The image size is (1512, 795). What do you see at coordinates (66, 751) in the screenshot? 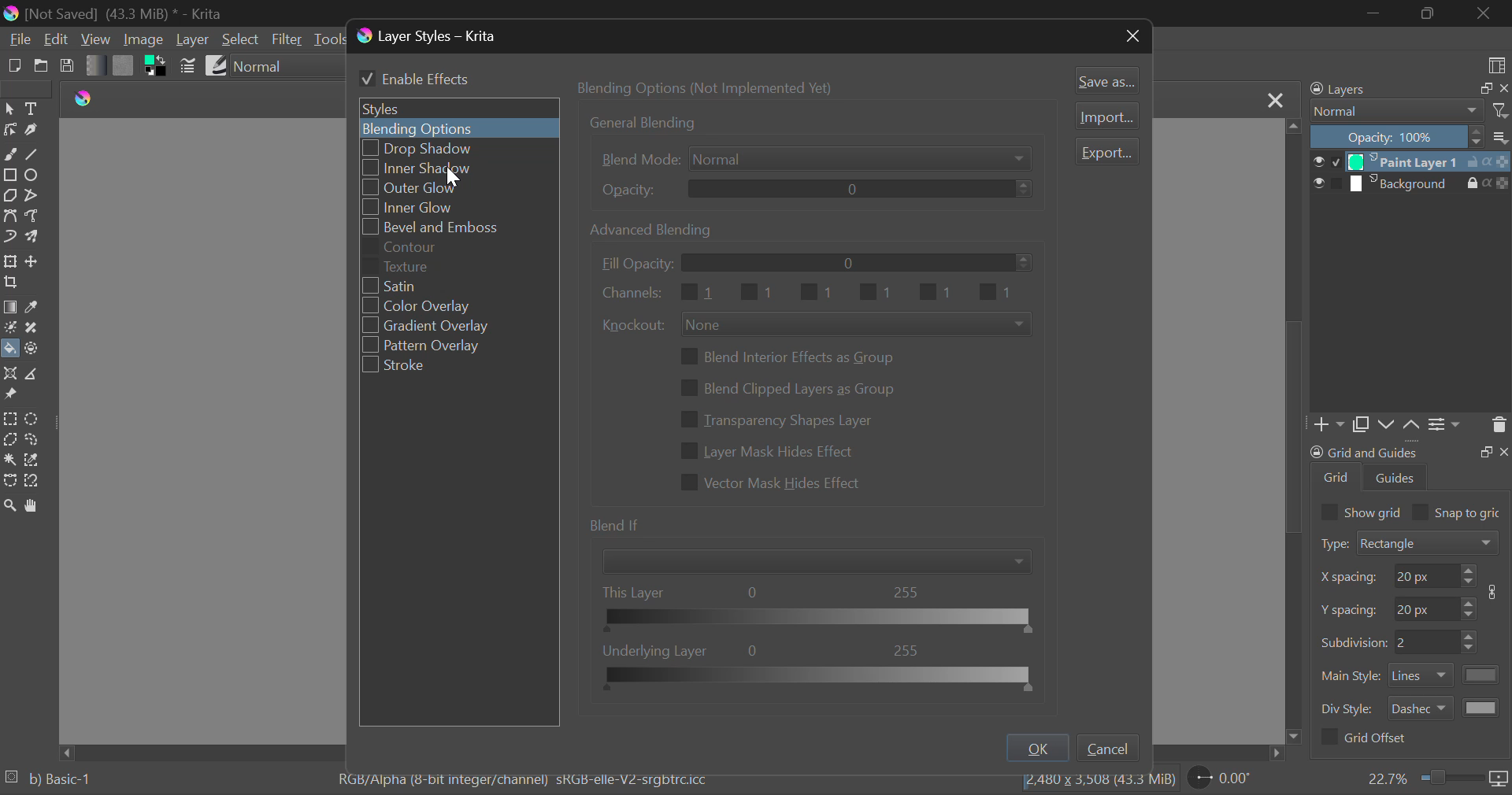
I see `move left` at bounding box center [66, 751].